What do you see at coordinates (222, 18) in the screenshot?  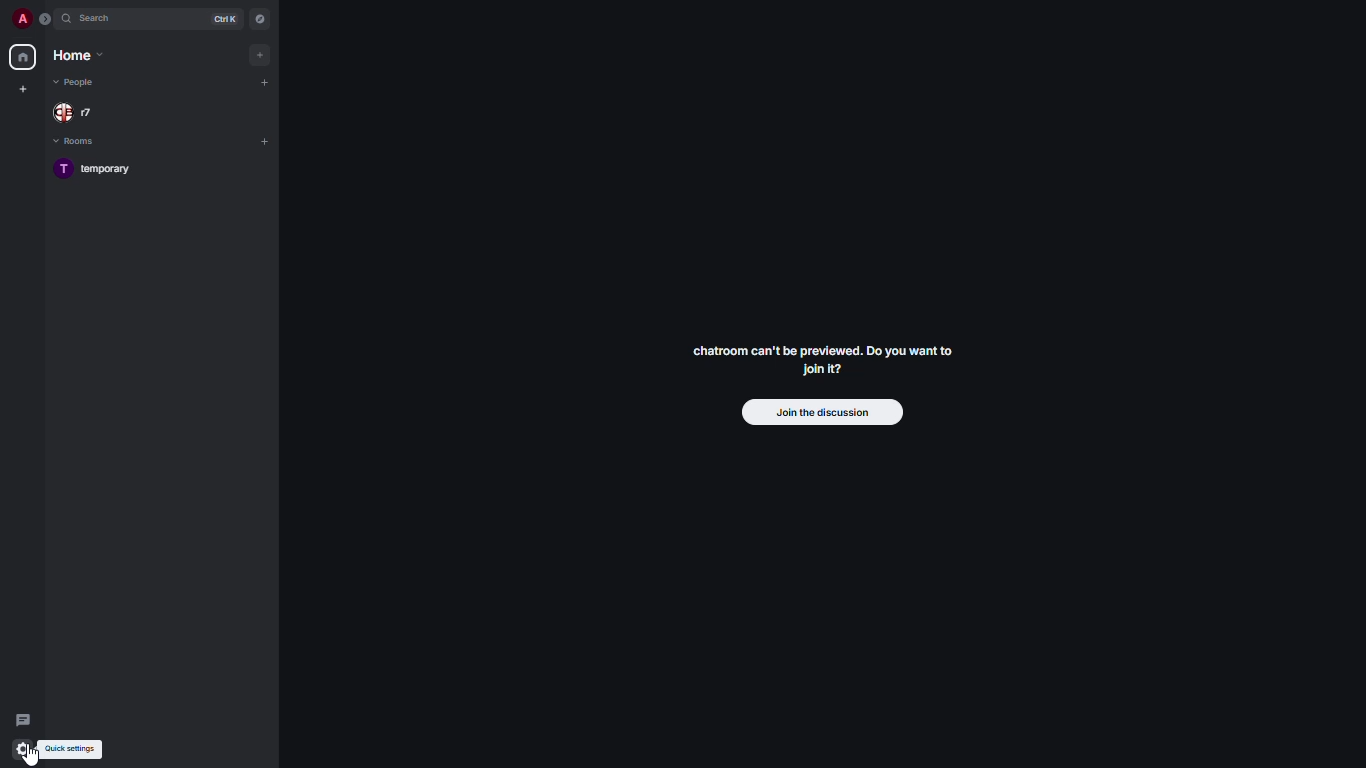 I see `ctrl K` at bounding box center [222, 18].